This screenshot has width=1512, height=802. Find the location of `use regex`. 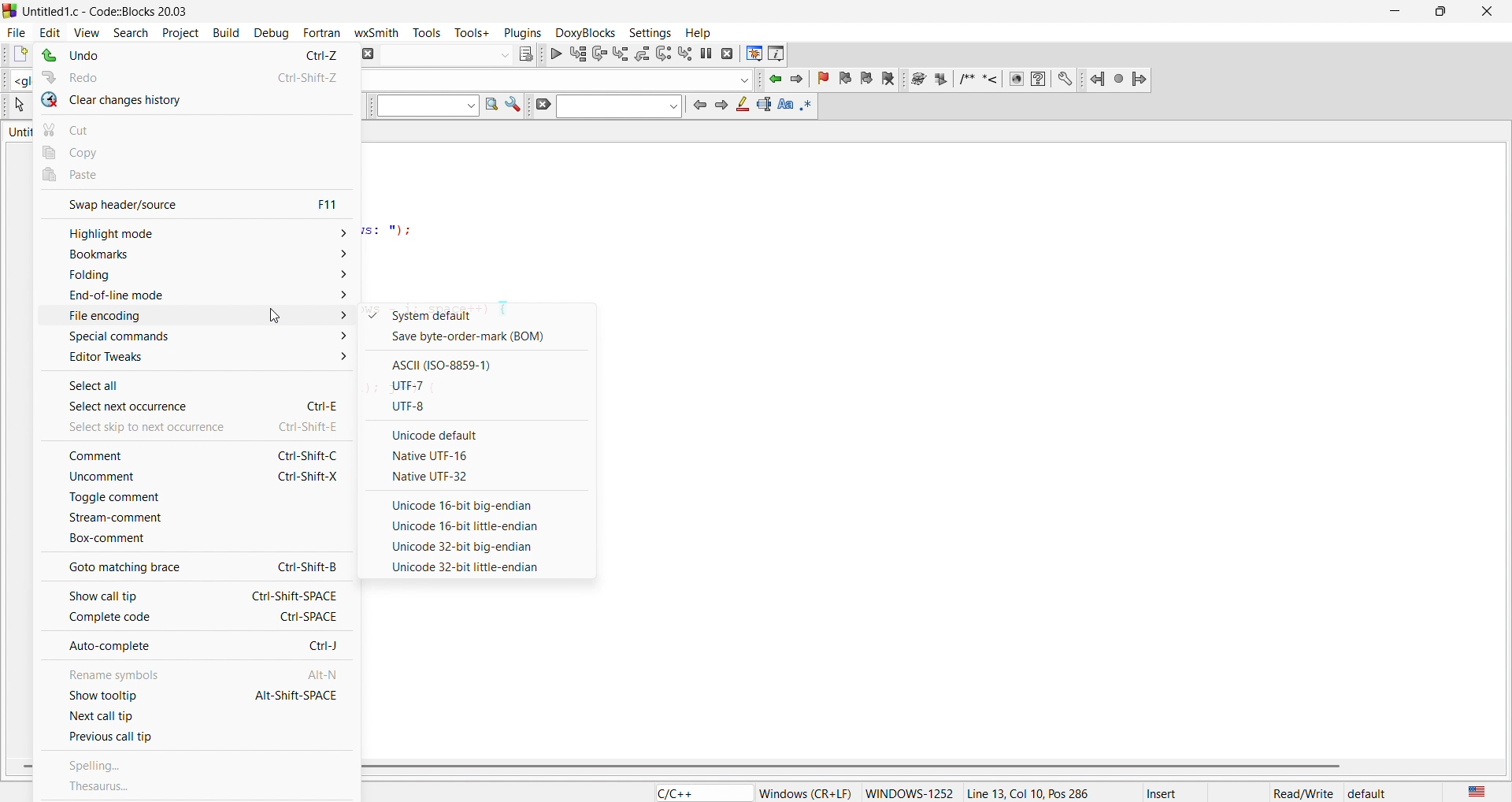

use regex is located at coordinates (809, 106).